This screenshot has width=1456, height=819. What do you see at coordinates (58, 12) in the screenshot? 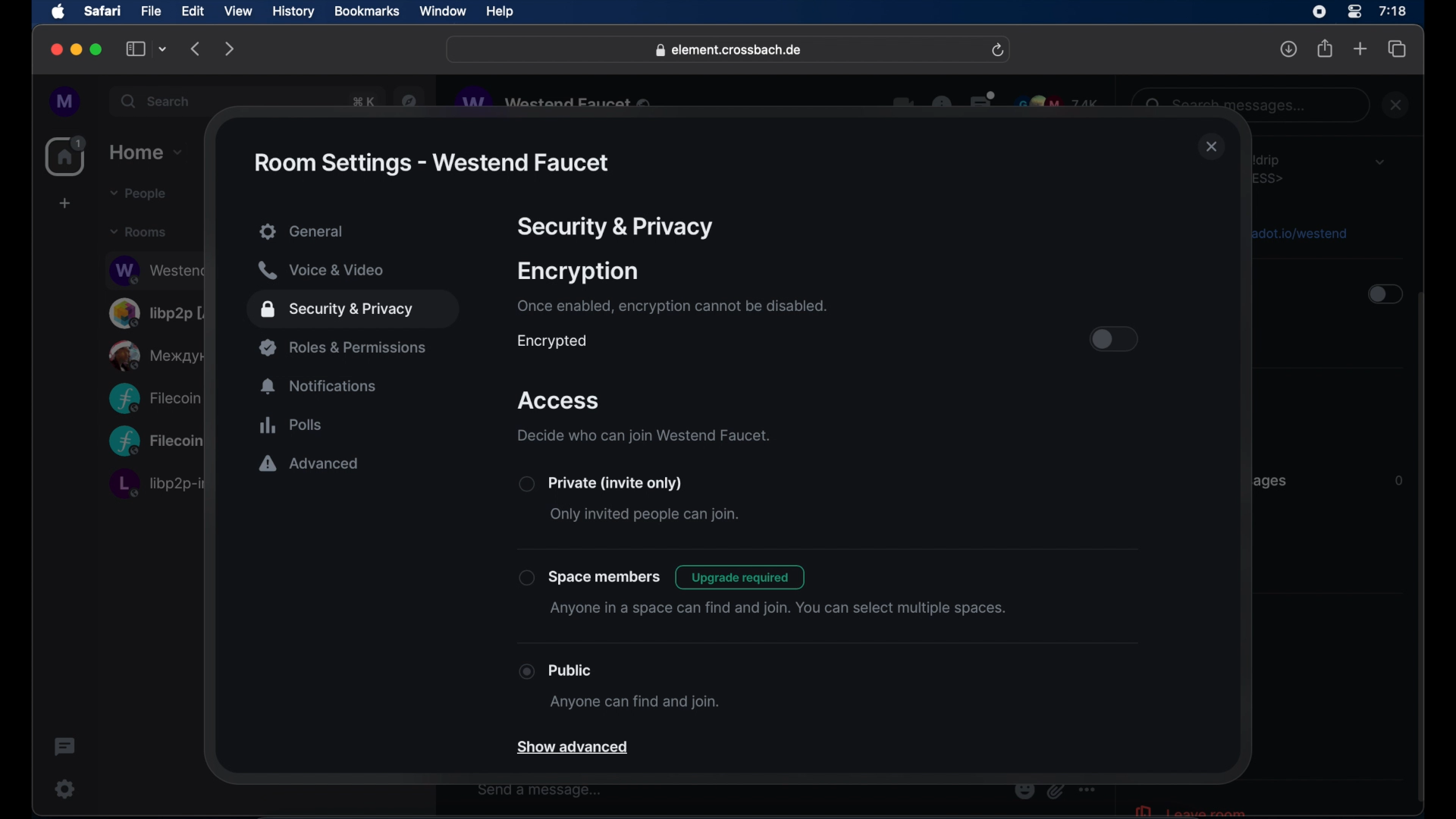
I see `apple icon` at bounding box center [58, 12].